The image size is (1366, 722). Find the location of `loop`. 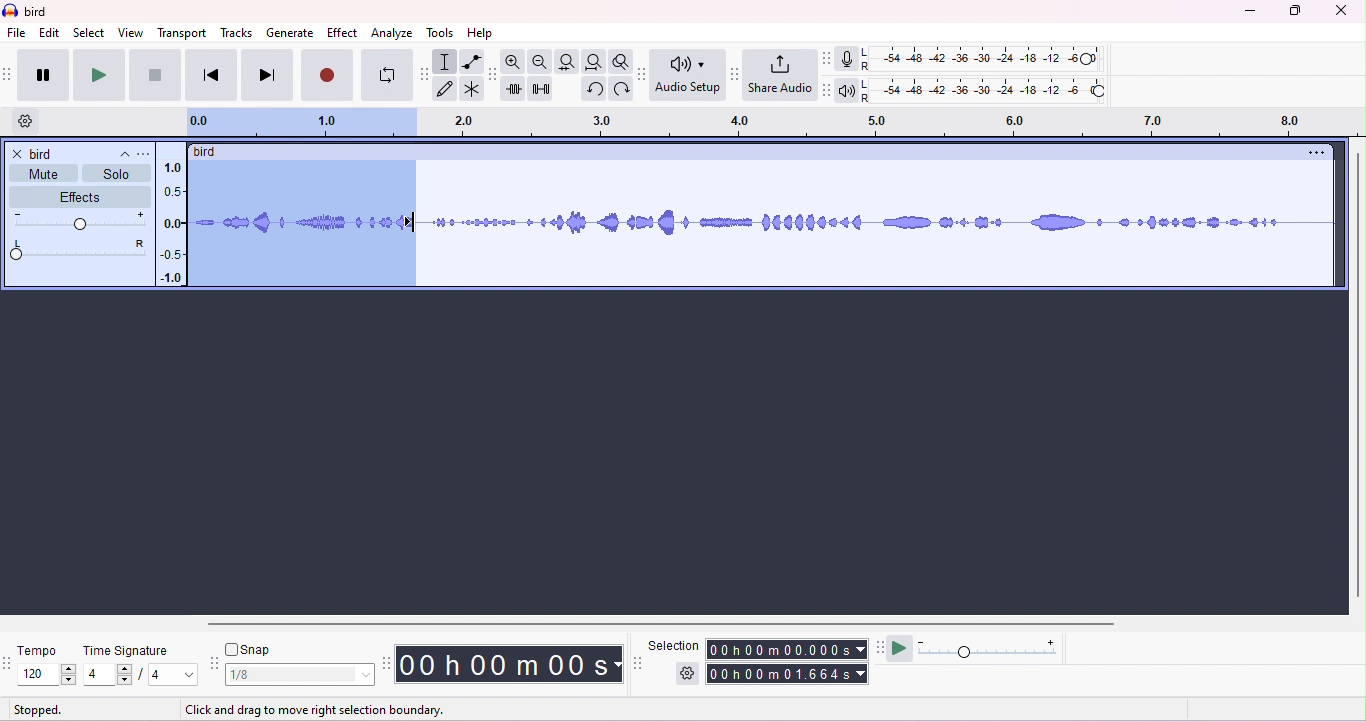

loop is located at coordinates (387, 75).